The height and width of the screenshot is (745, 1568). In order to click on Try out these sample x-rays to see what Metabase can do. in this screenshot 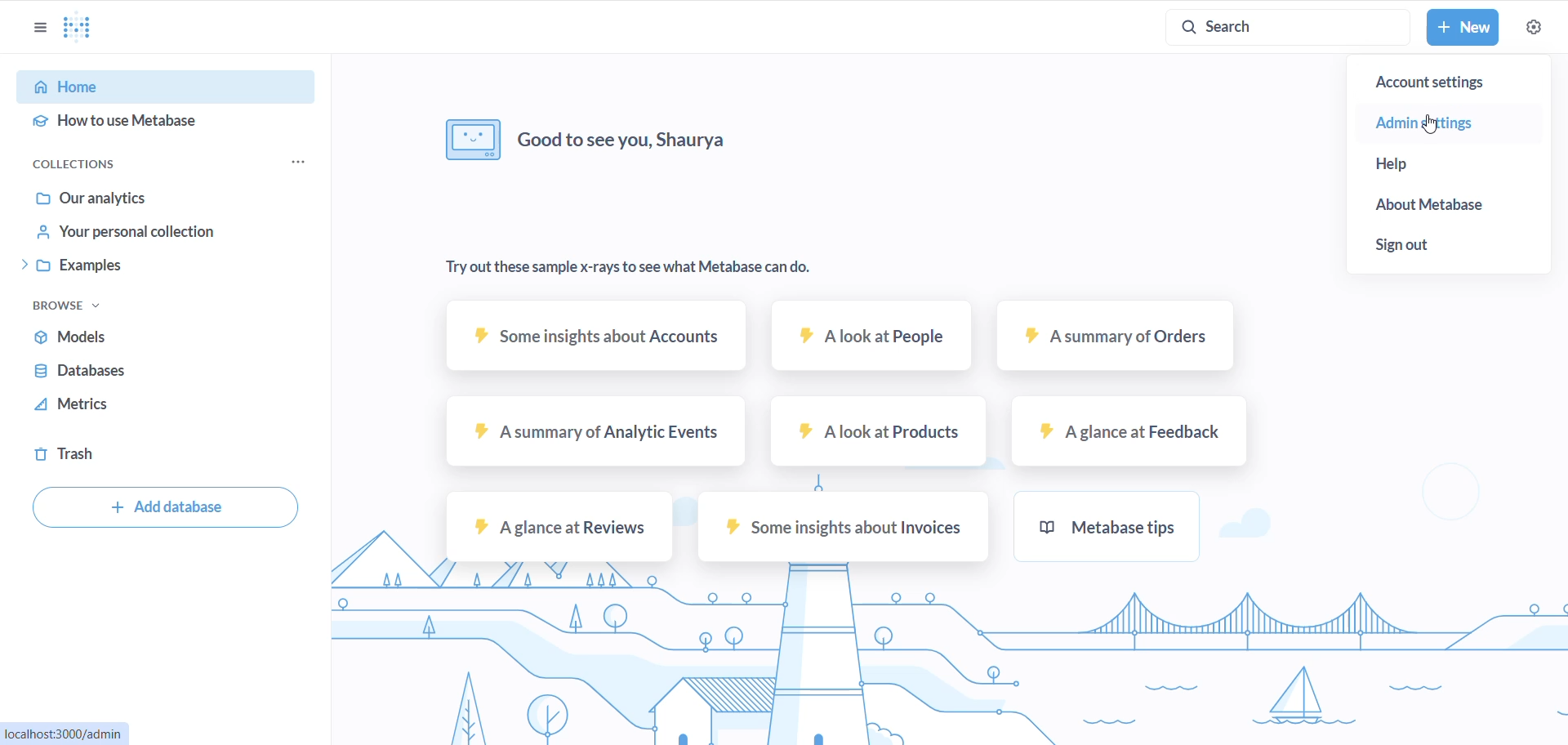, I will do `click(629, 269)`.